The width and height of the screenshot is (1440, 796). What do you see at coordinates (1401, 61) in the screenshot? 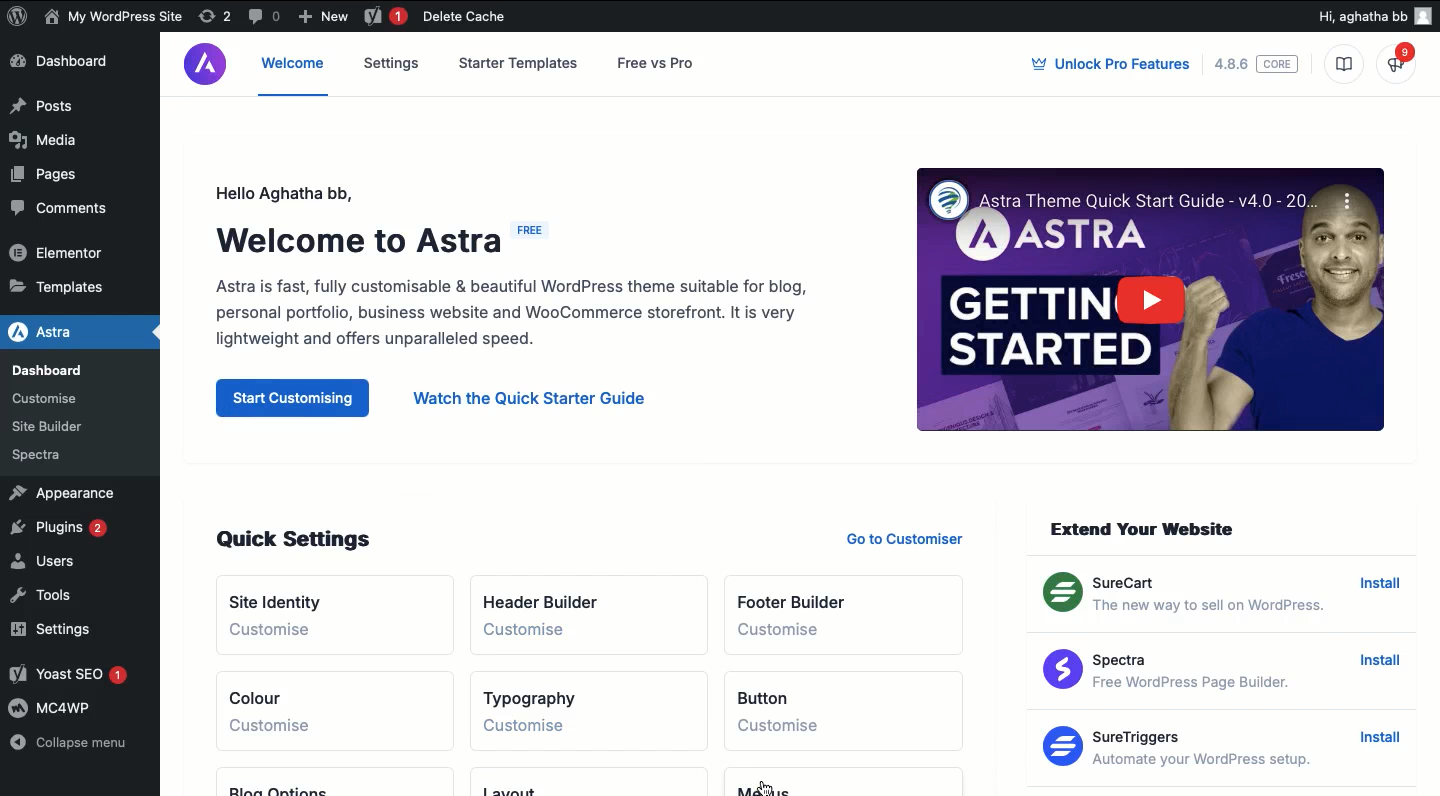
I see `Help` at bounding box center [1401, 61].